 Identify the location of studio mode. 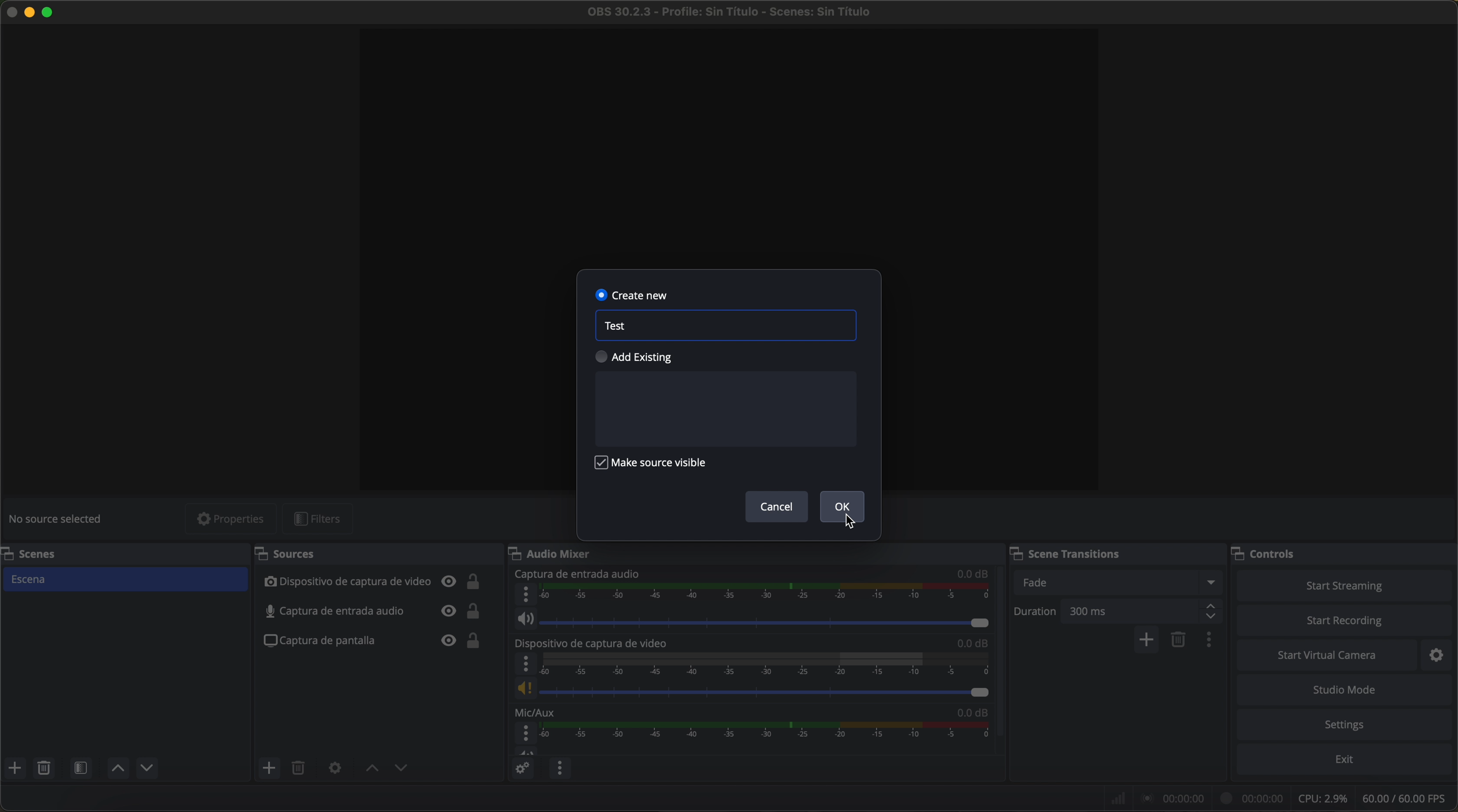
(1345, 690).